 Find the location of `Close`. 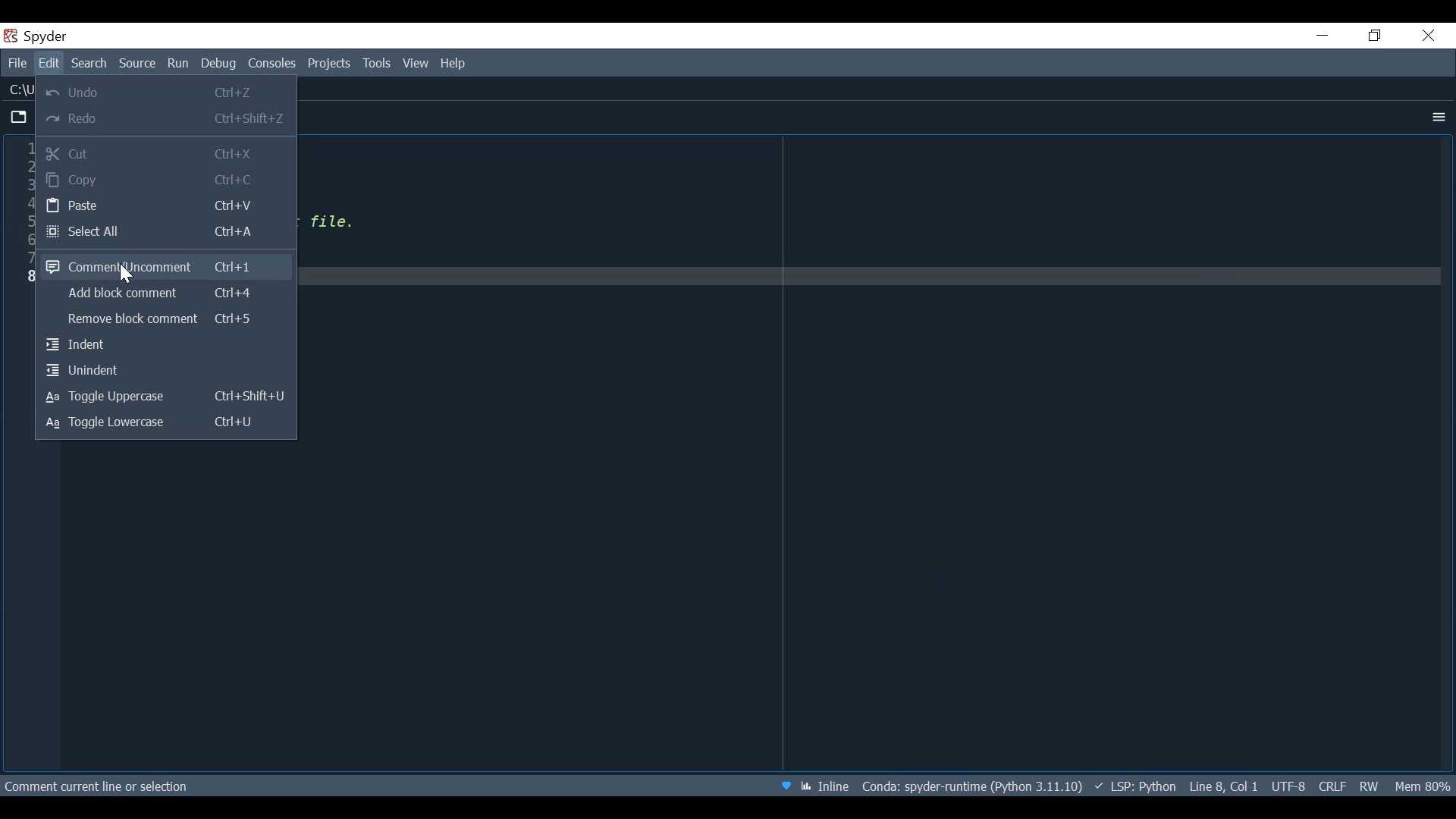

Close is located at coordinates (1428, 36).